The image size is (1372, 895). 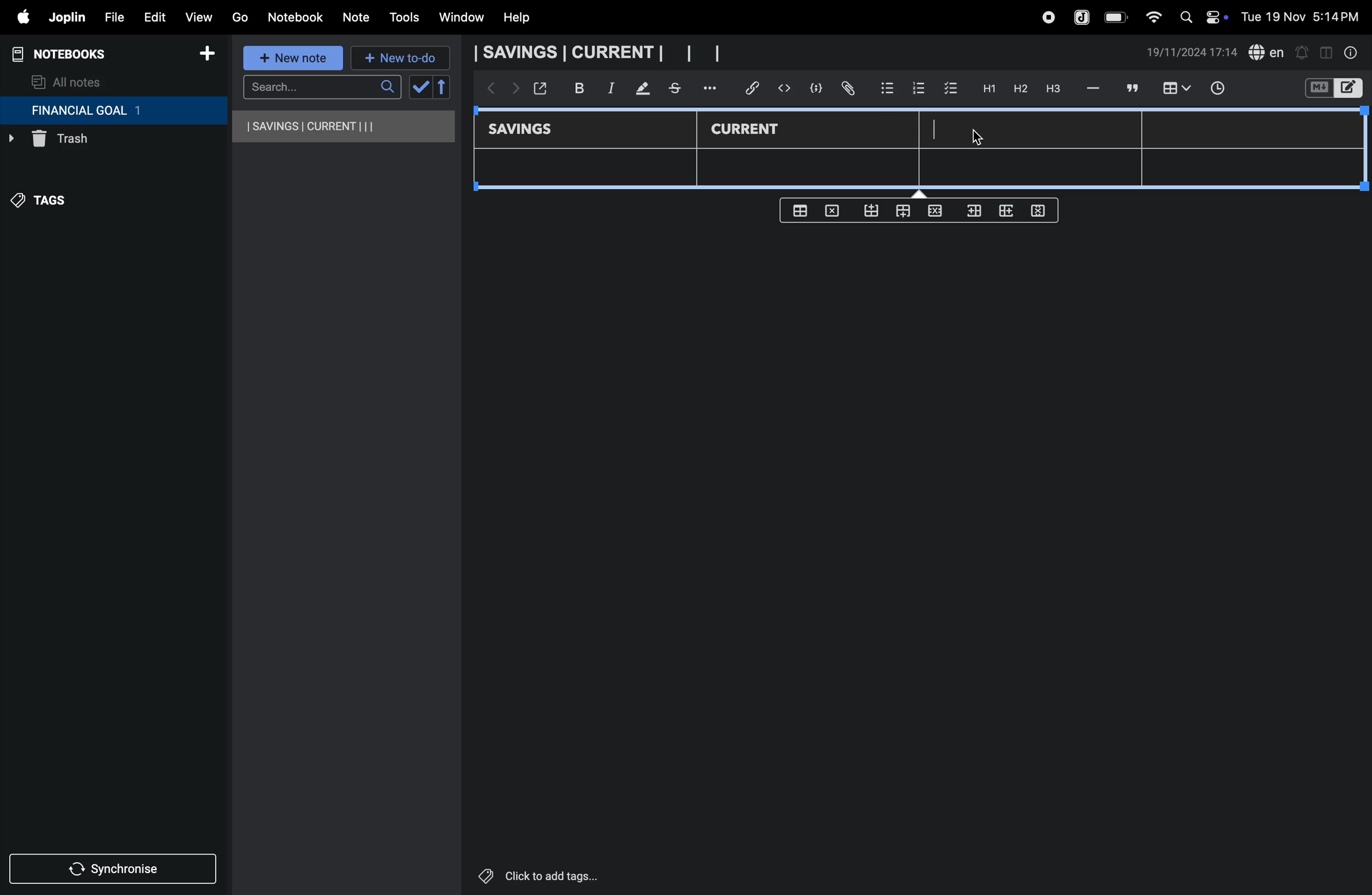 I want to click on create table, so click(x=800, y=210).